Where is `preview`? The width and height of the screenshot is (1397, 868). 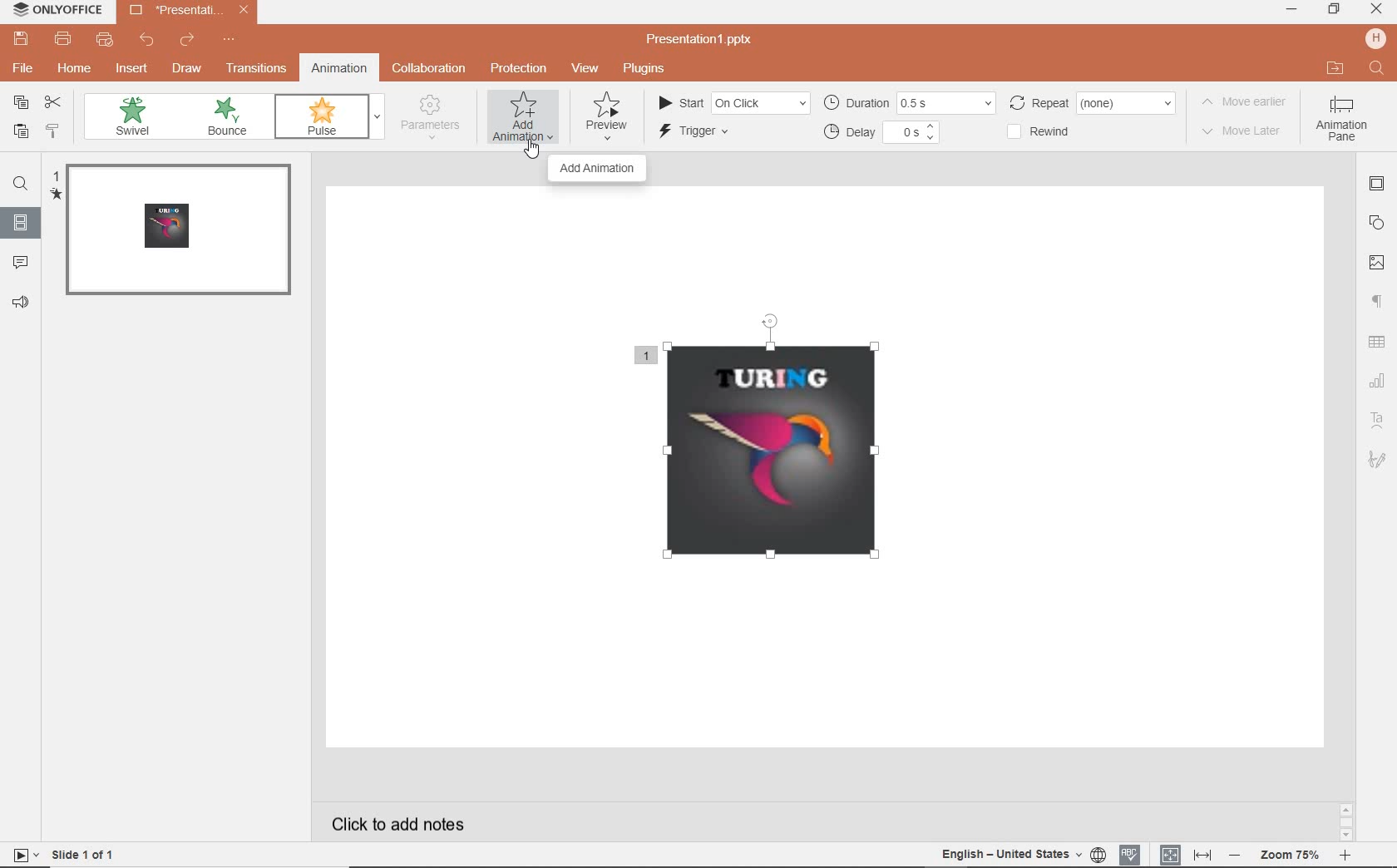 preview is located at coordinates (610, 117).